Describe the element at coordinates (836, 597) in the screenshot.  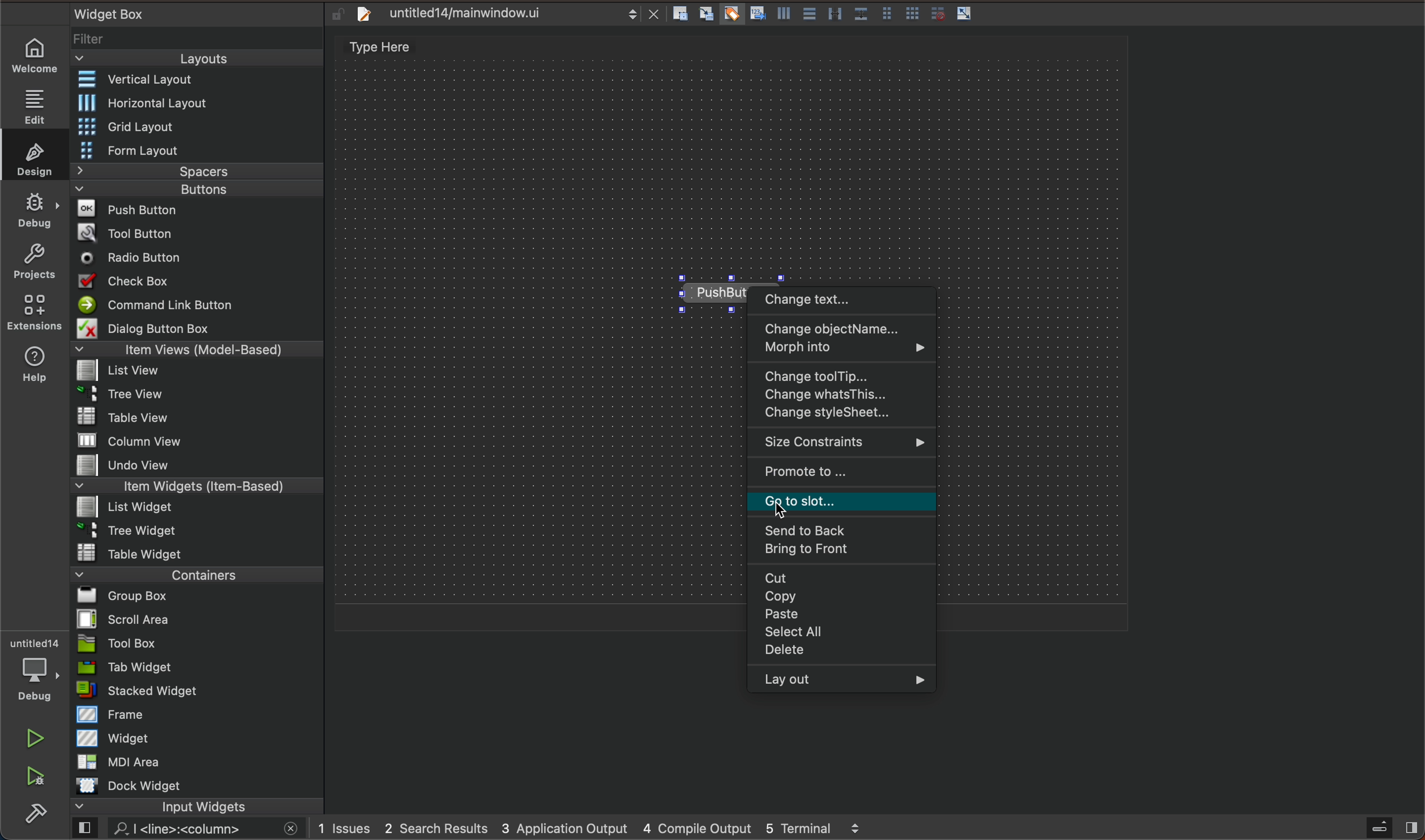
I see `copy` at that location.